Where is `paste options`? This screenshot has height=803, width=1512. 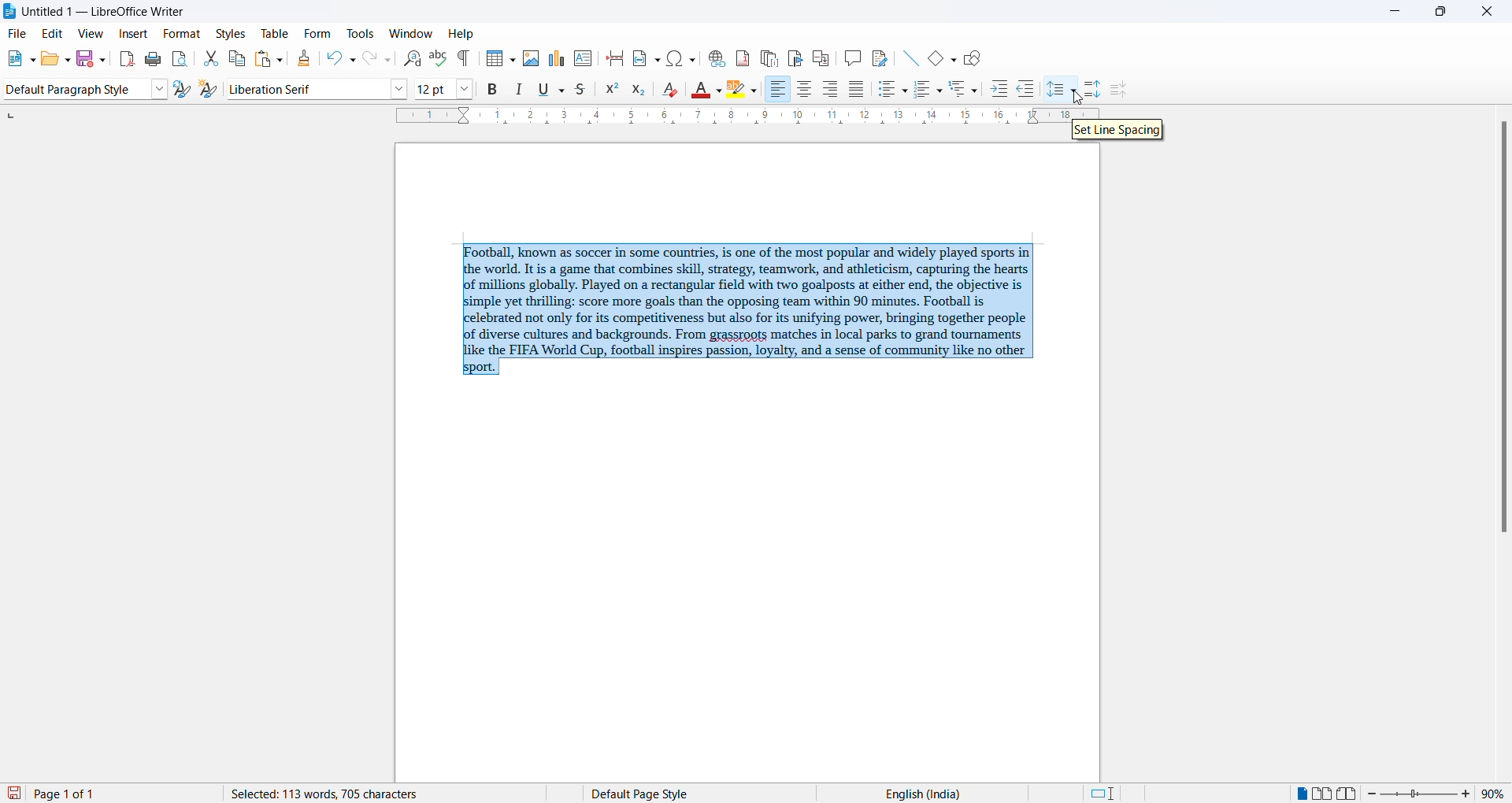 paste options is located at coordinates (282, 58).